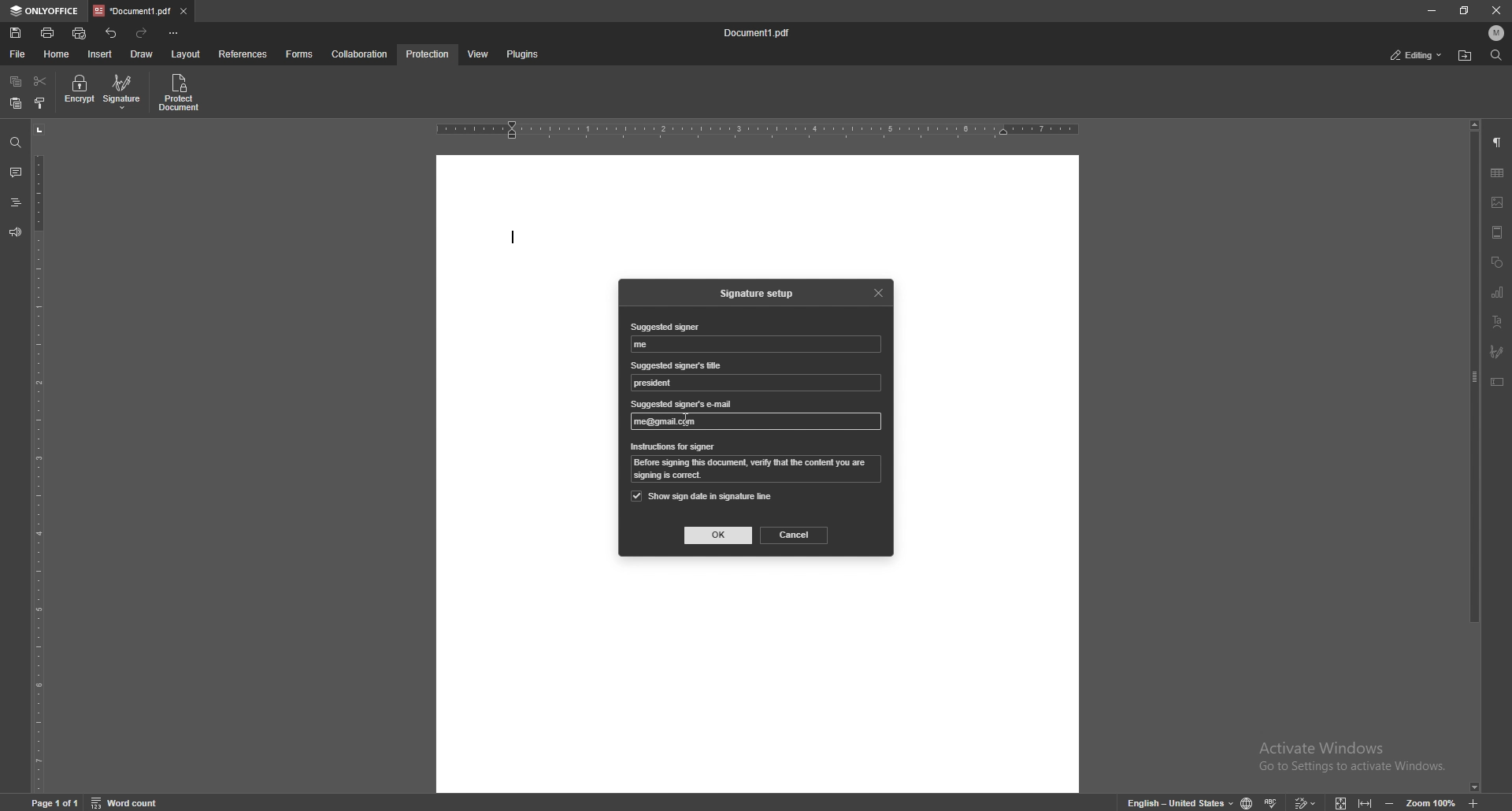  I want to click on vertical scale, so click(39, 457).